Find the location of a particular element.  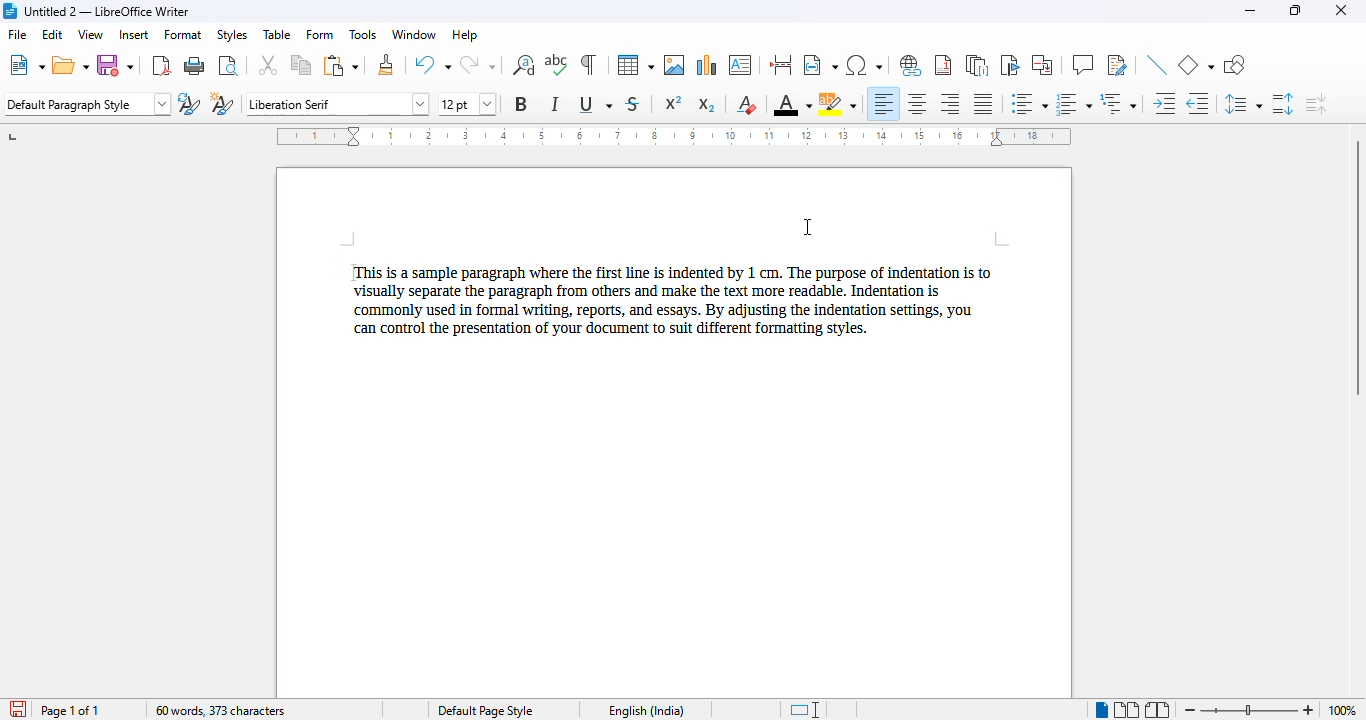

zoom slider is located at coordinates (1252, 709).